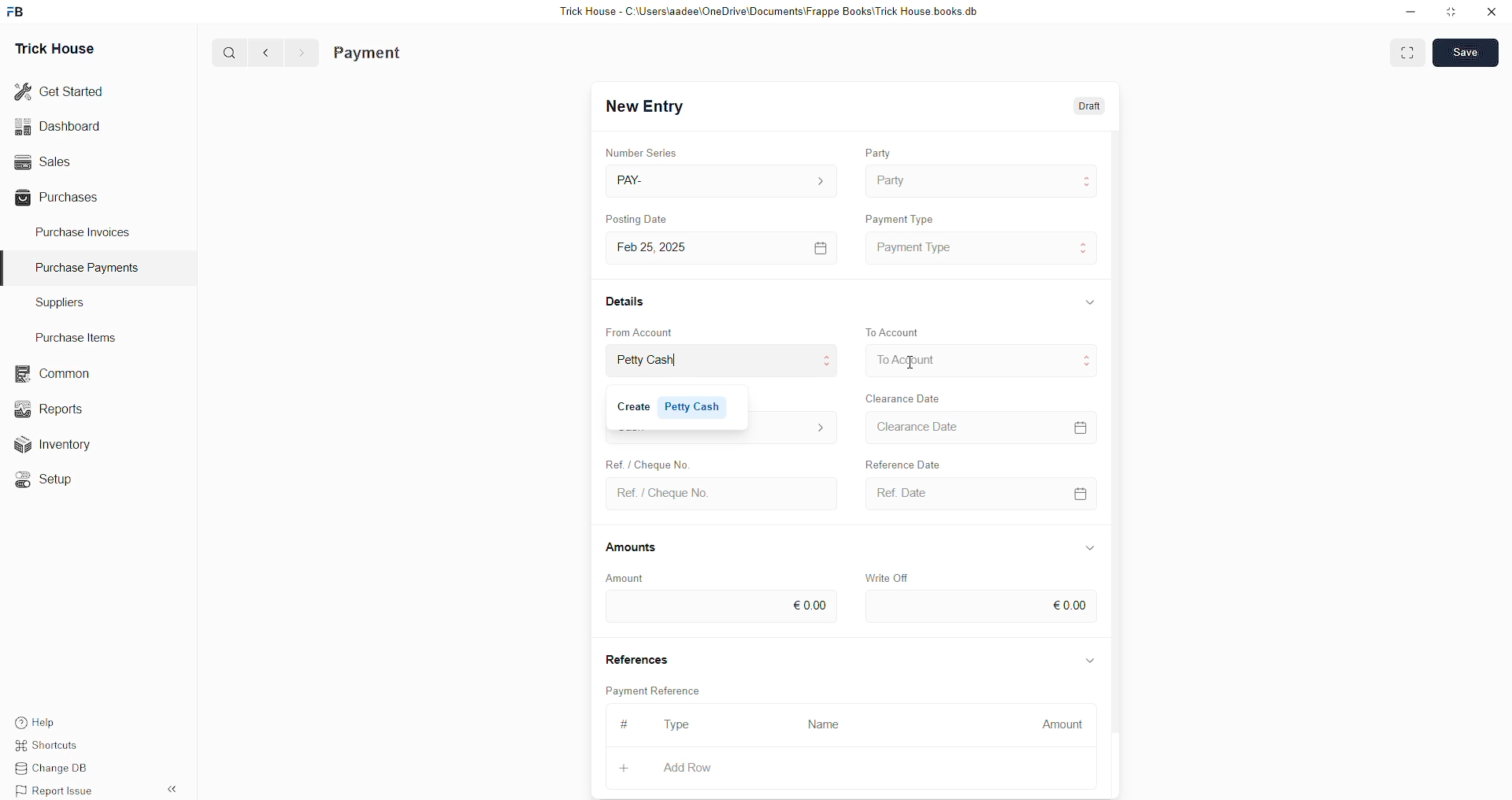  Describe the element at coordinates (880, 149) in the screenshot. I see `Party` at that location.